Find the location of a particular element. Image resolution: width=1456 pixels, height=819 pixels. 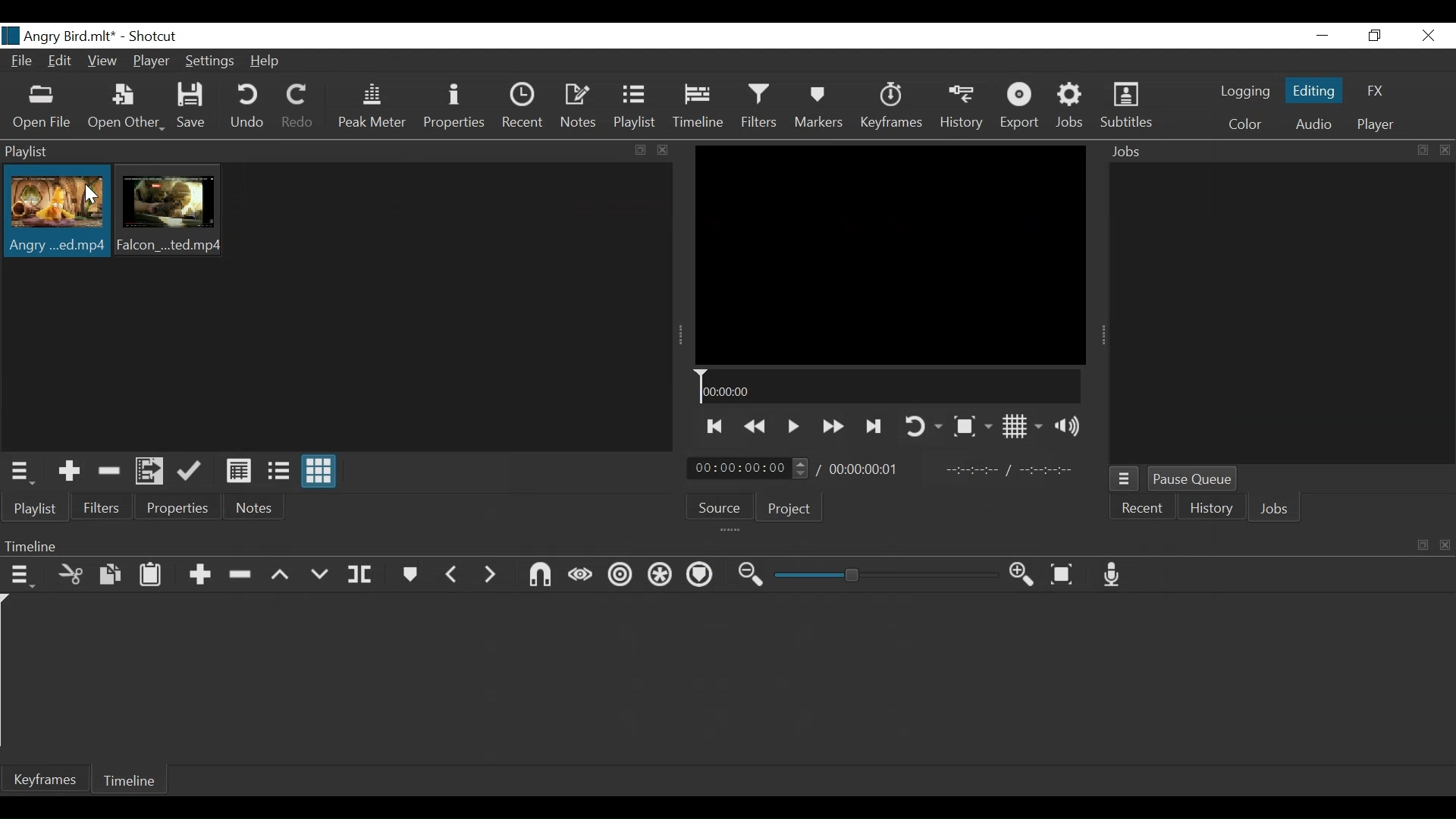

Open Other is located at coordinates (125, 109).